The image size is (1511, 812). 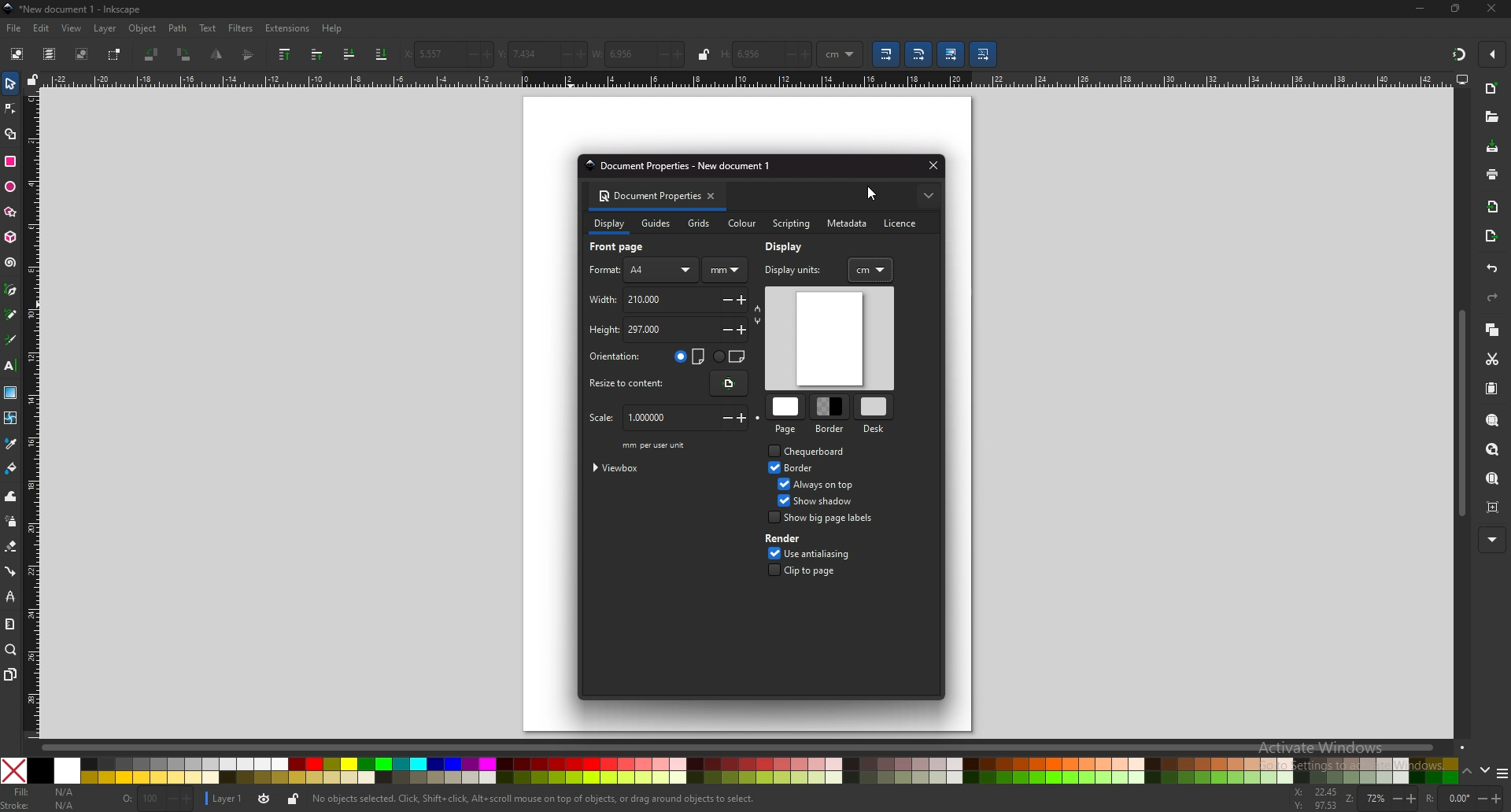 I want to click on page, so click(x=787, y=416).